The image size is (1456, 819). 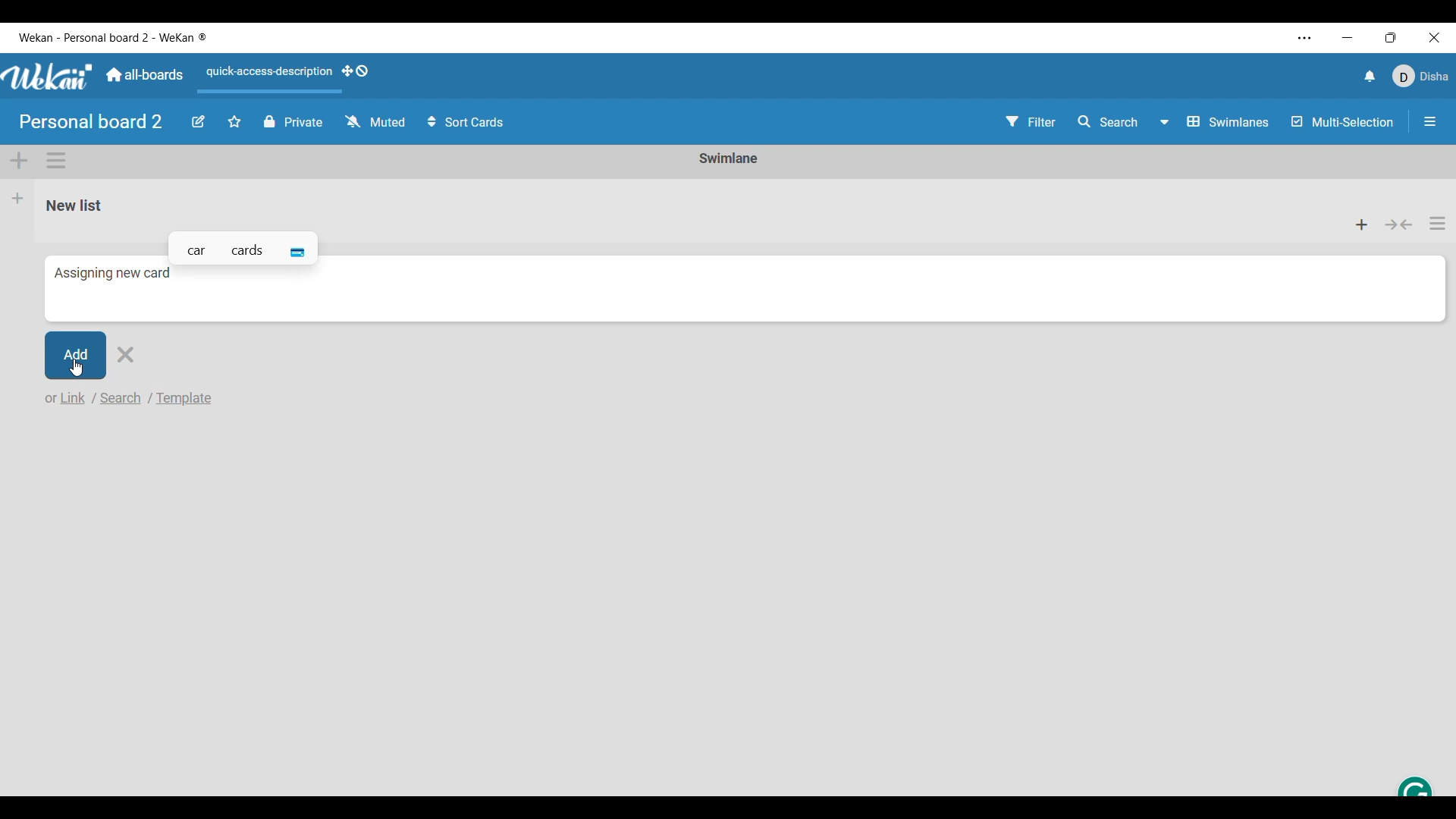 What do you see at coordinates (1421, 76) in the screenshot?
I see `Current account` at bounding box center [1421, 76].